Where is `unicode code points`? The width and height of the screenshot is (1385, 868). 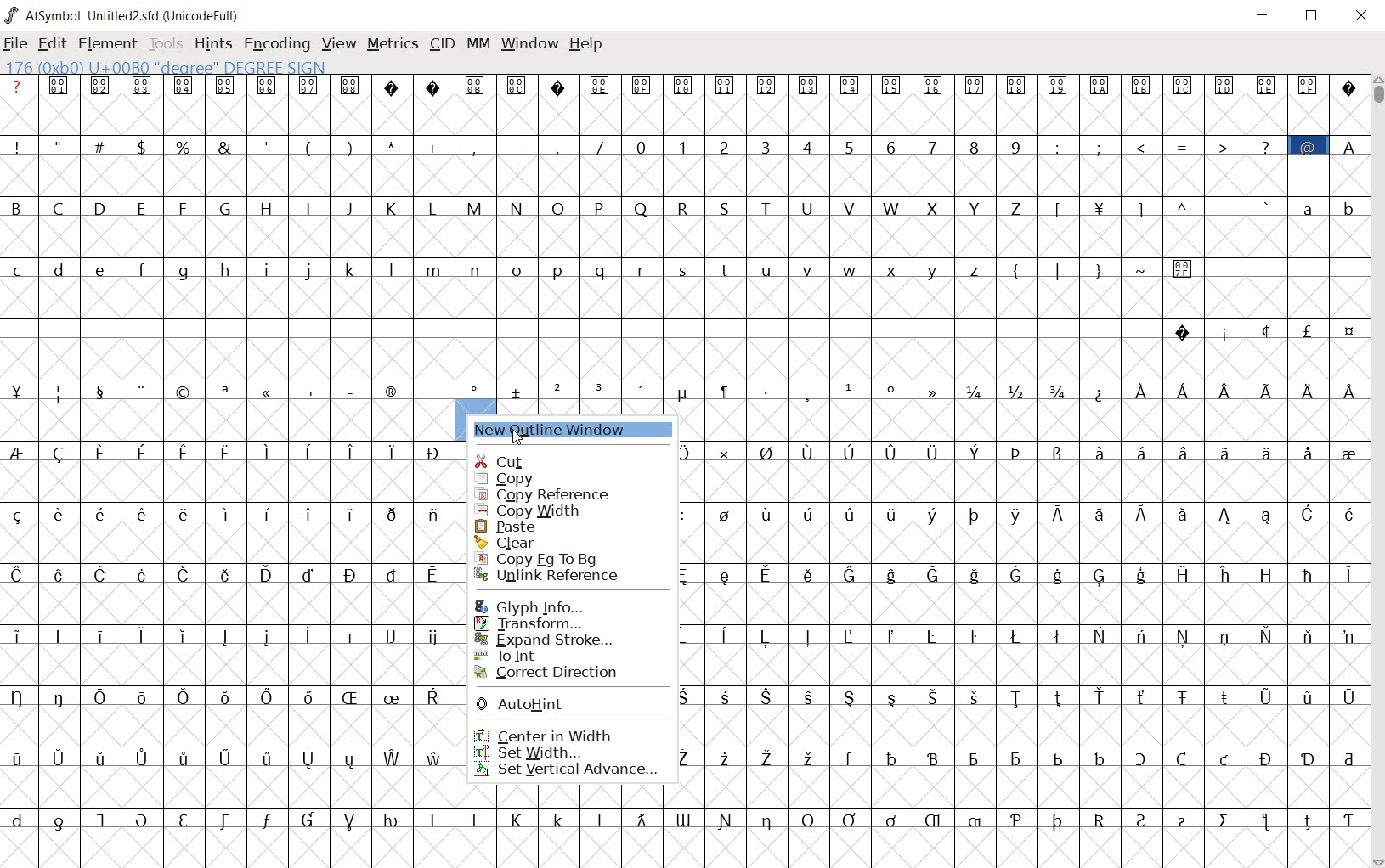
unicode code points is located at coordinates (958, 85).